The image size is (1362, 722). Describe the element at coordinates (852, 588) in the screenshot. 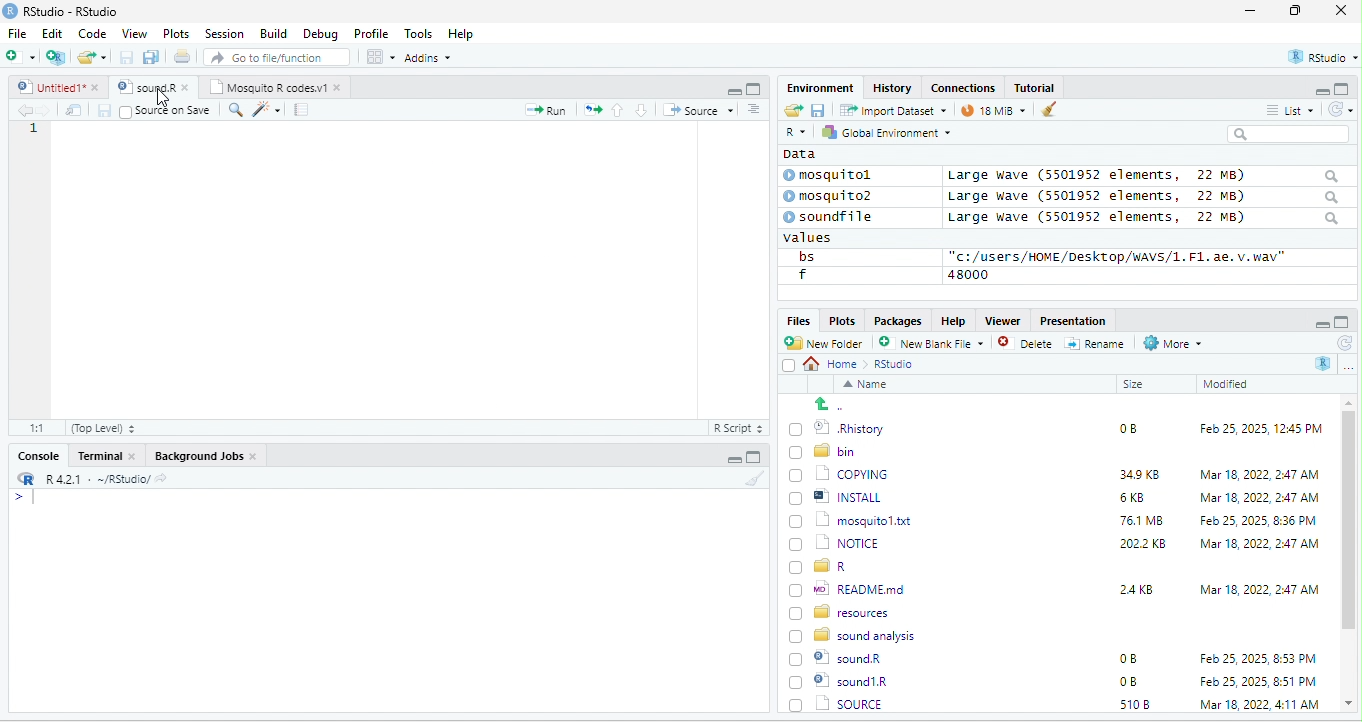

I see `wo| READMEmd` at that location.